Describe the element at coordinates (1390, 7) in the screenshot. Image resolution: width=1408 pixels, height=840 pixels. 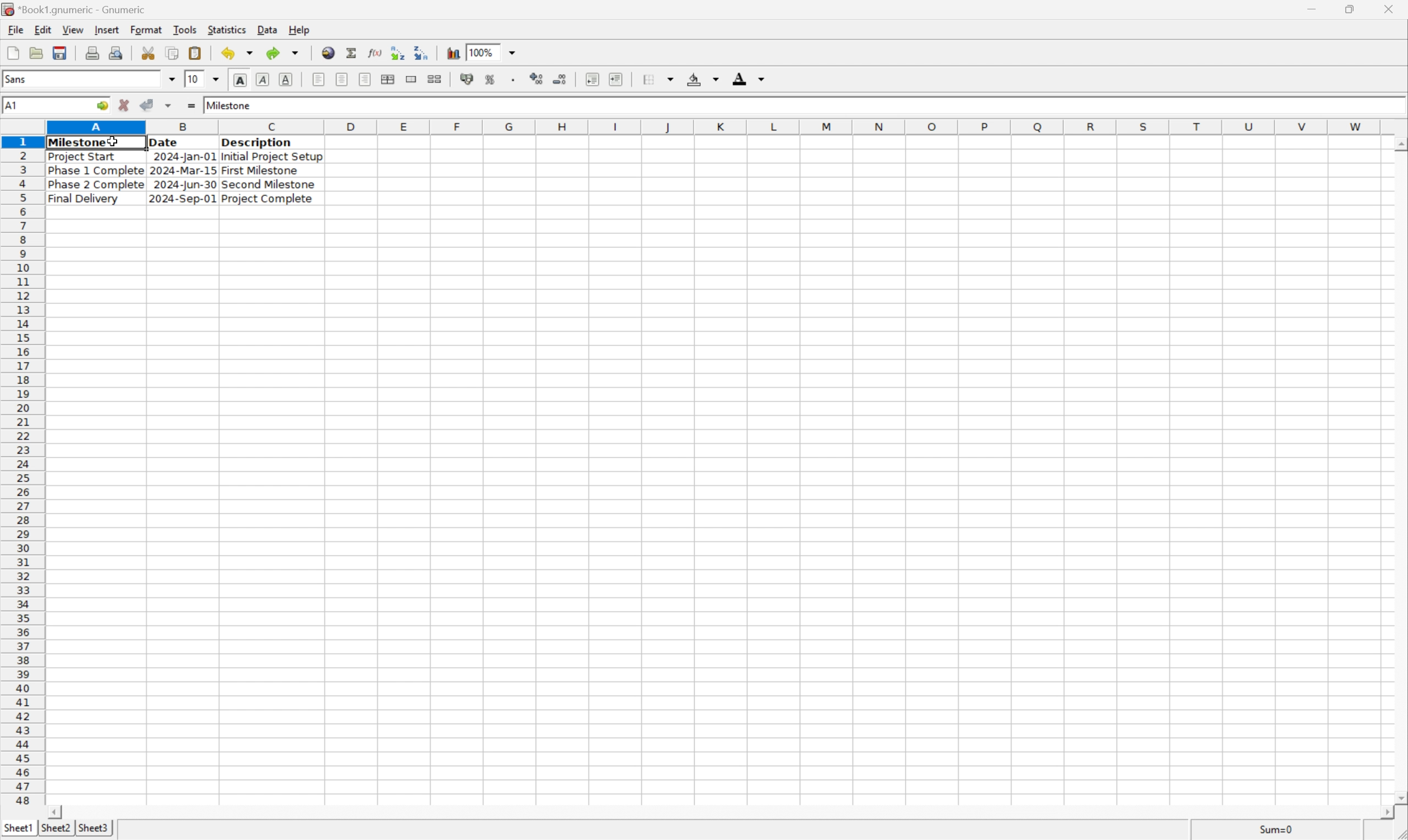
I see `close` at that location.